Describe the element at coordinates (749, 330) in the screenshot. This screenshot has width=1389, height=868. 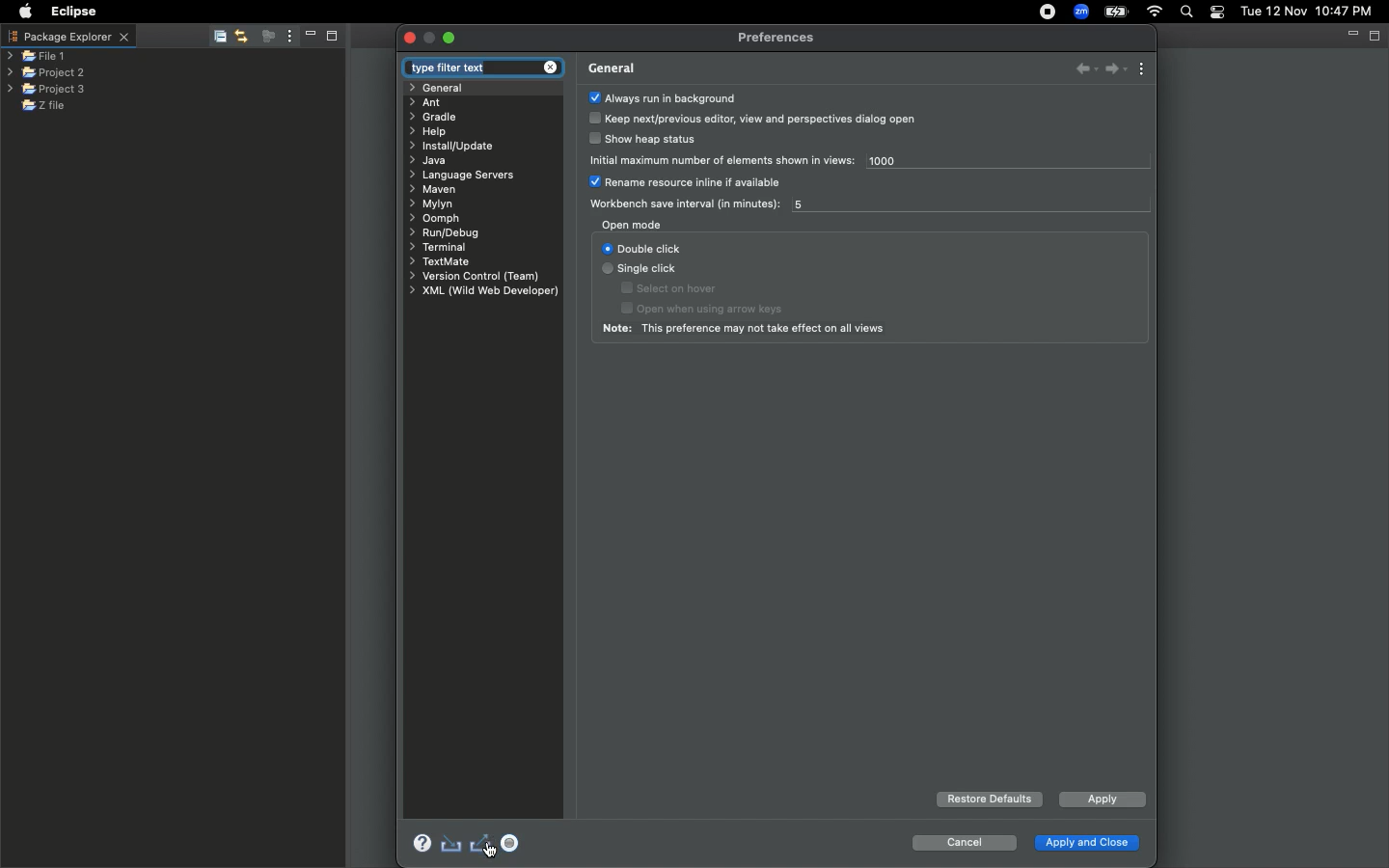
I see `Note: this preference may not take effect on all views` at that location.